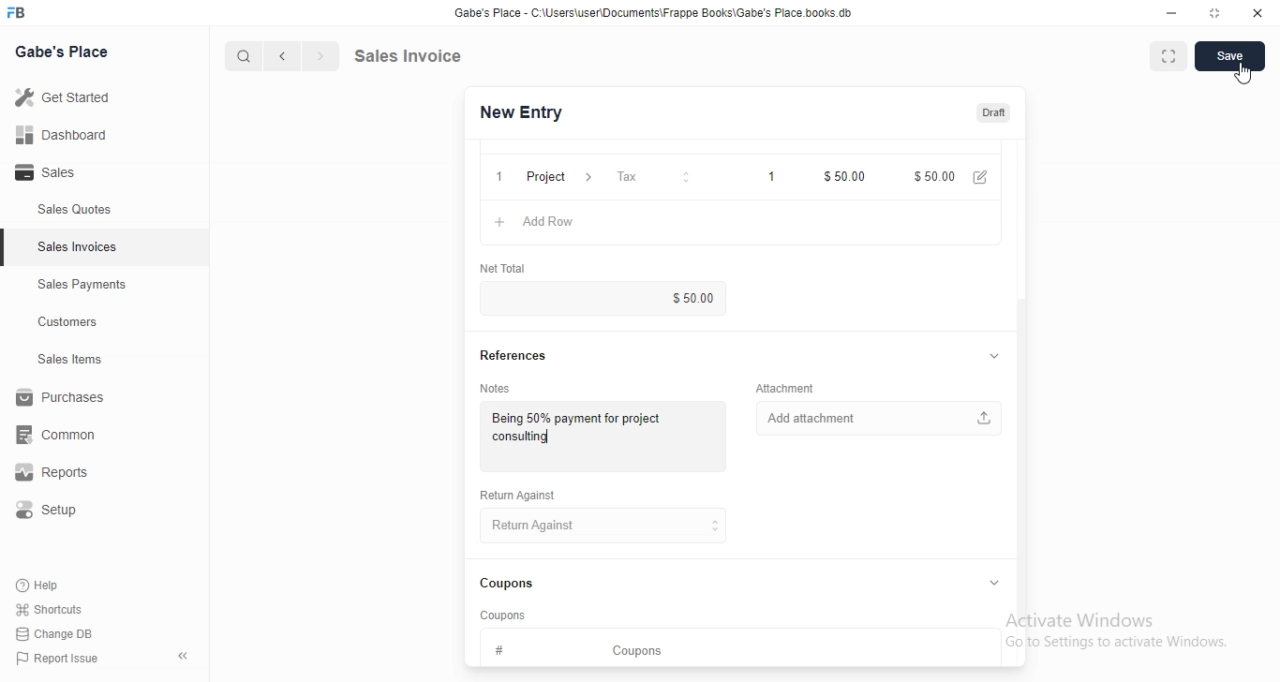  I want to click on Coupons., so click(508, 584).